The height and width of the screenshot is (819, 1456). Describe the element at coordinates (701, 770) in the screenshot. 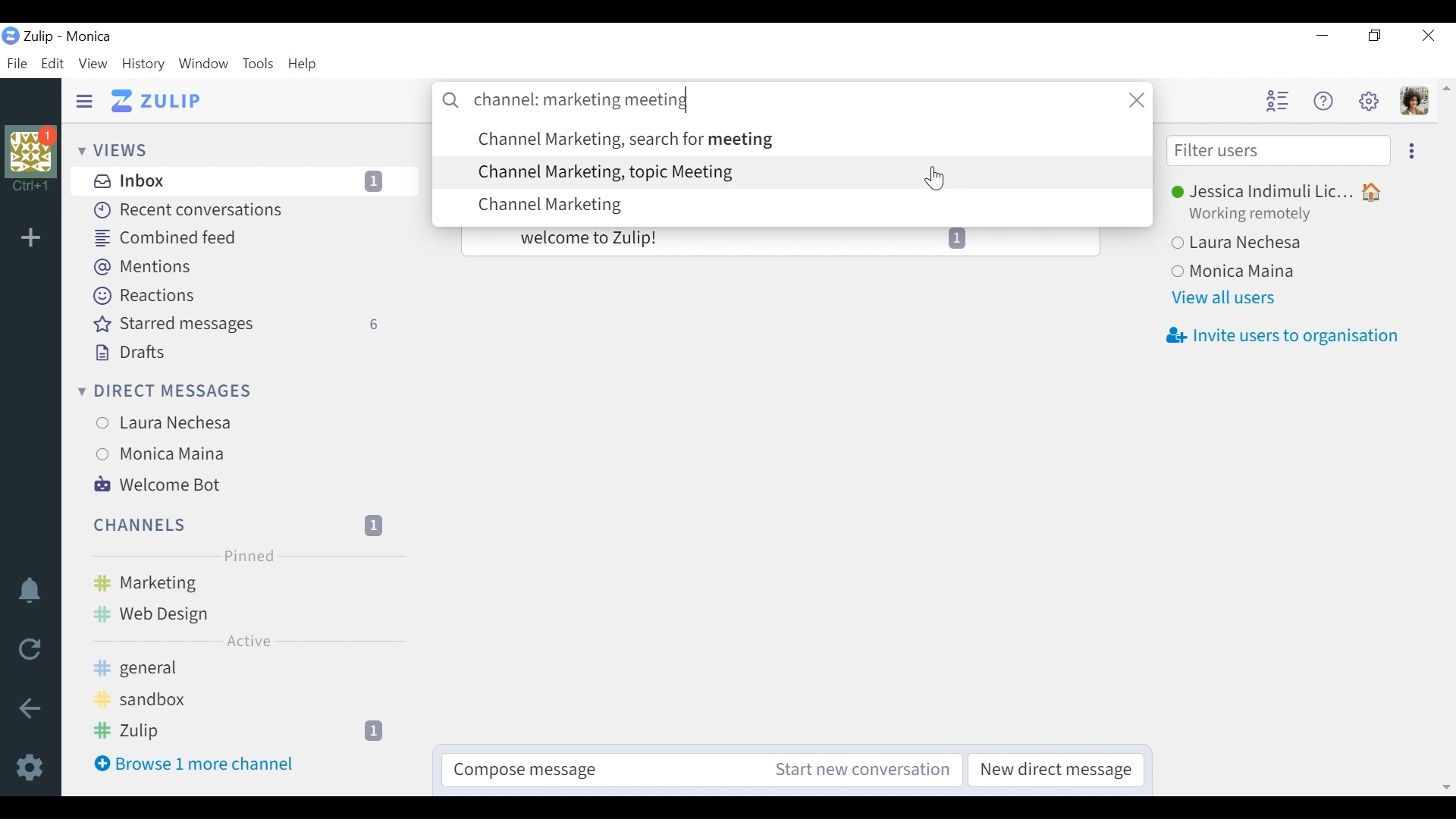

I see `Compose message Start new conversation` at that location.